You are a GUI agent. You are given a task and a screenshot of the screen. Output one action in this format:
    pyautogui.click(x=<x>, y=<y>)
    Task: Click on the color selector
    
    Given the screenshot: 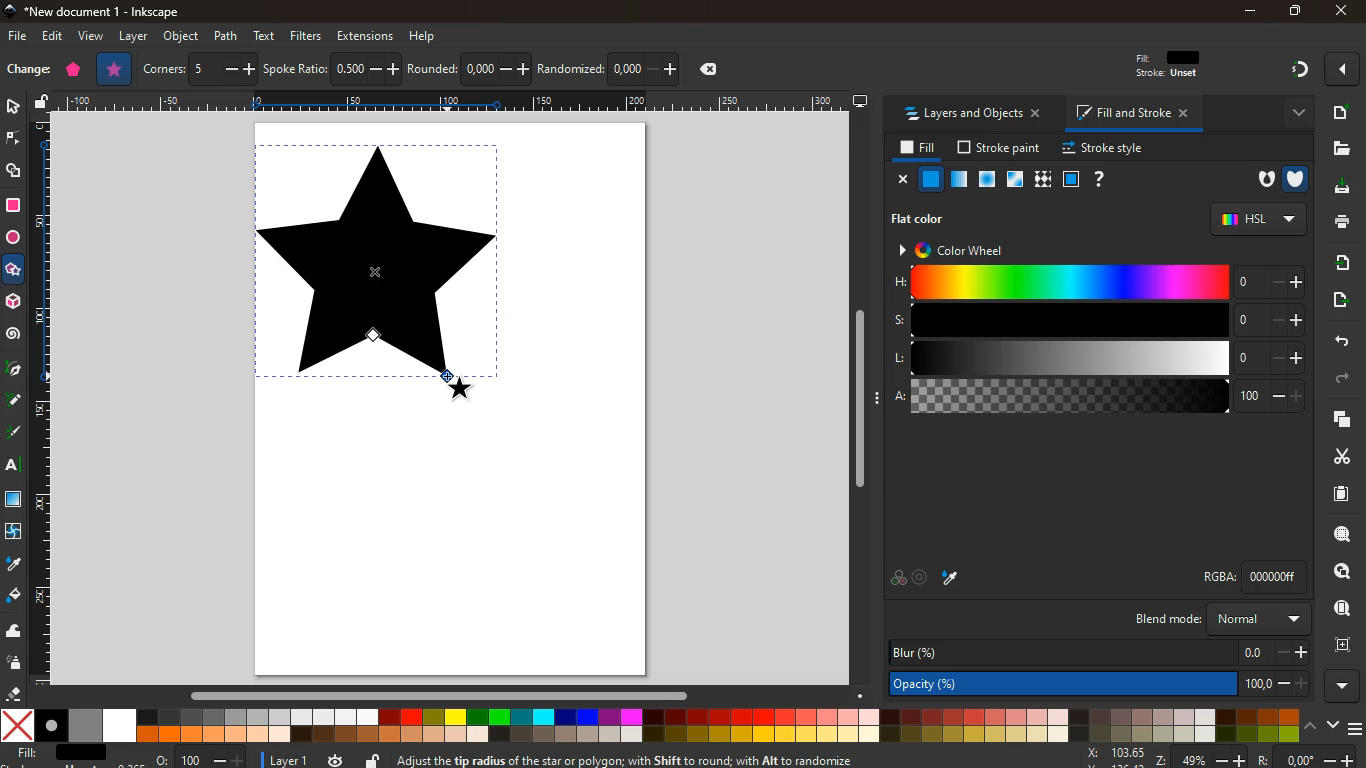 What is the action you would take?
    pyautogui.click(x=924, y=575)
    